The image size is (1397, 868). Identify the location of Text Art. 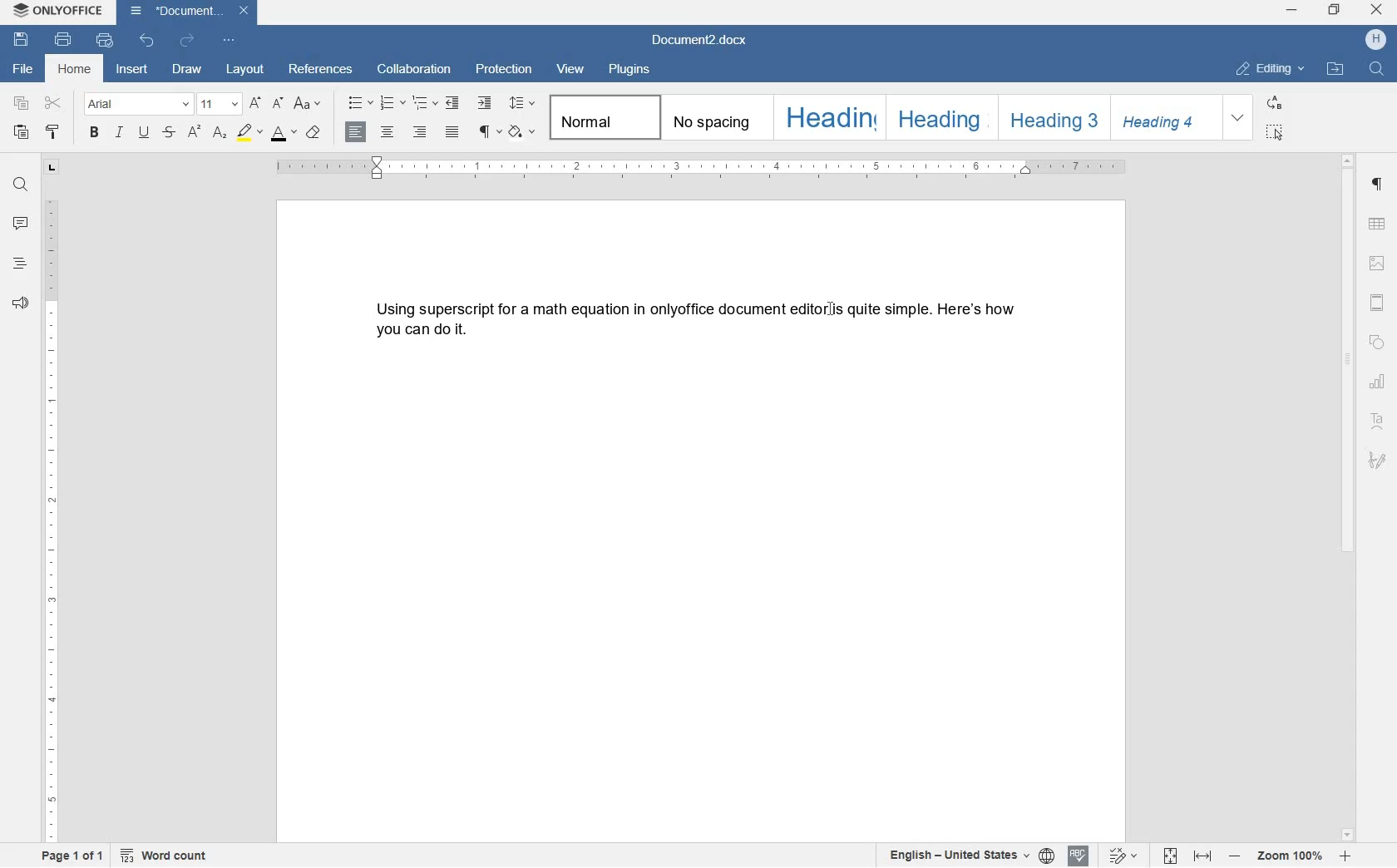
(1378, 422).